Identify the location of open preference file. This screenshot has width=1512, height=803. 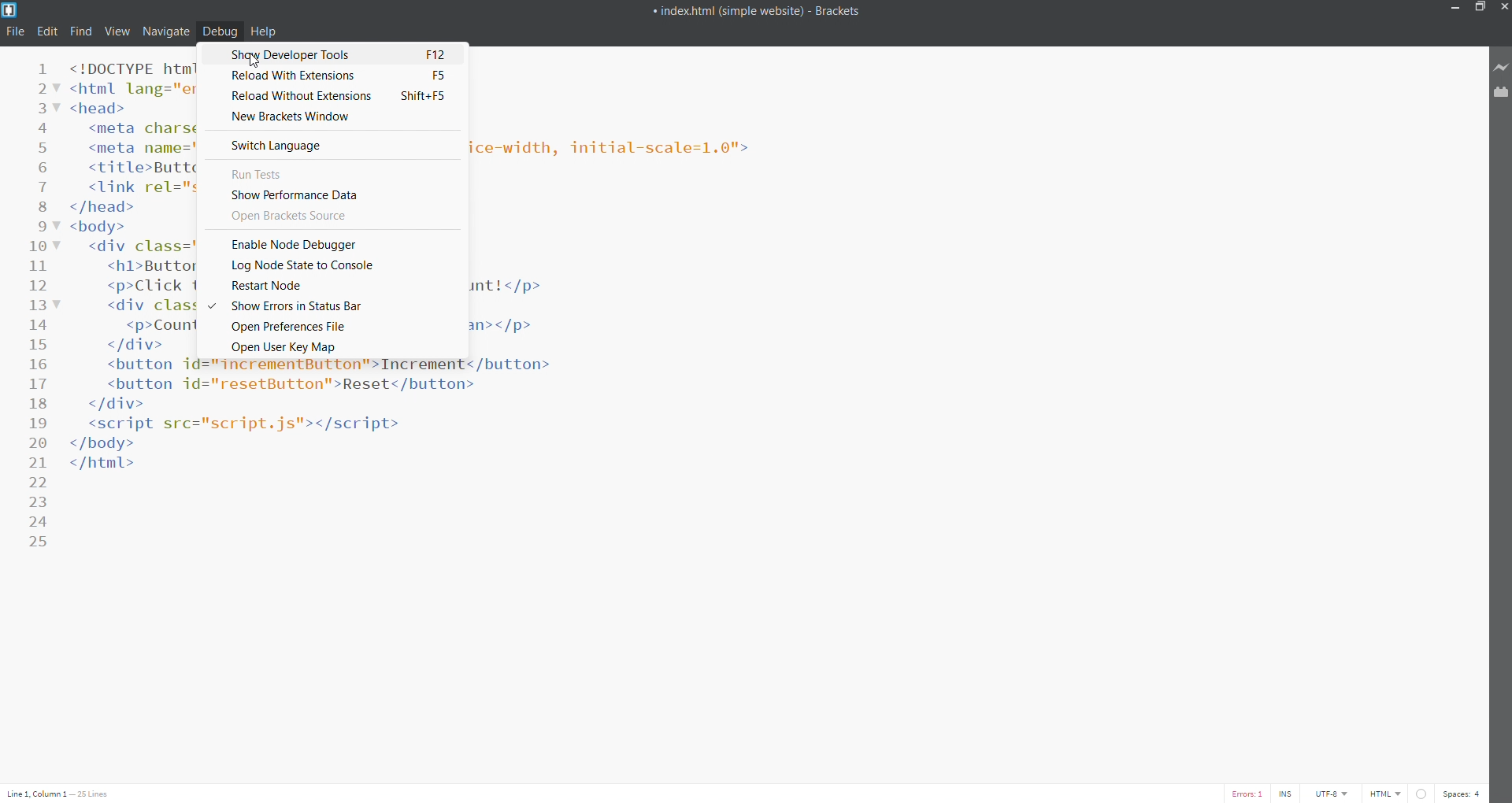
(329, 326).